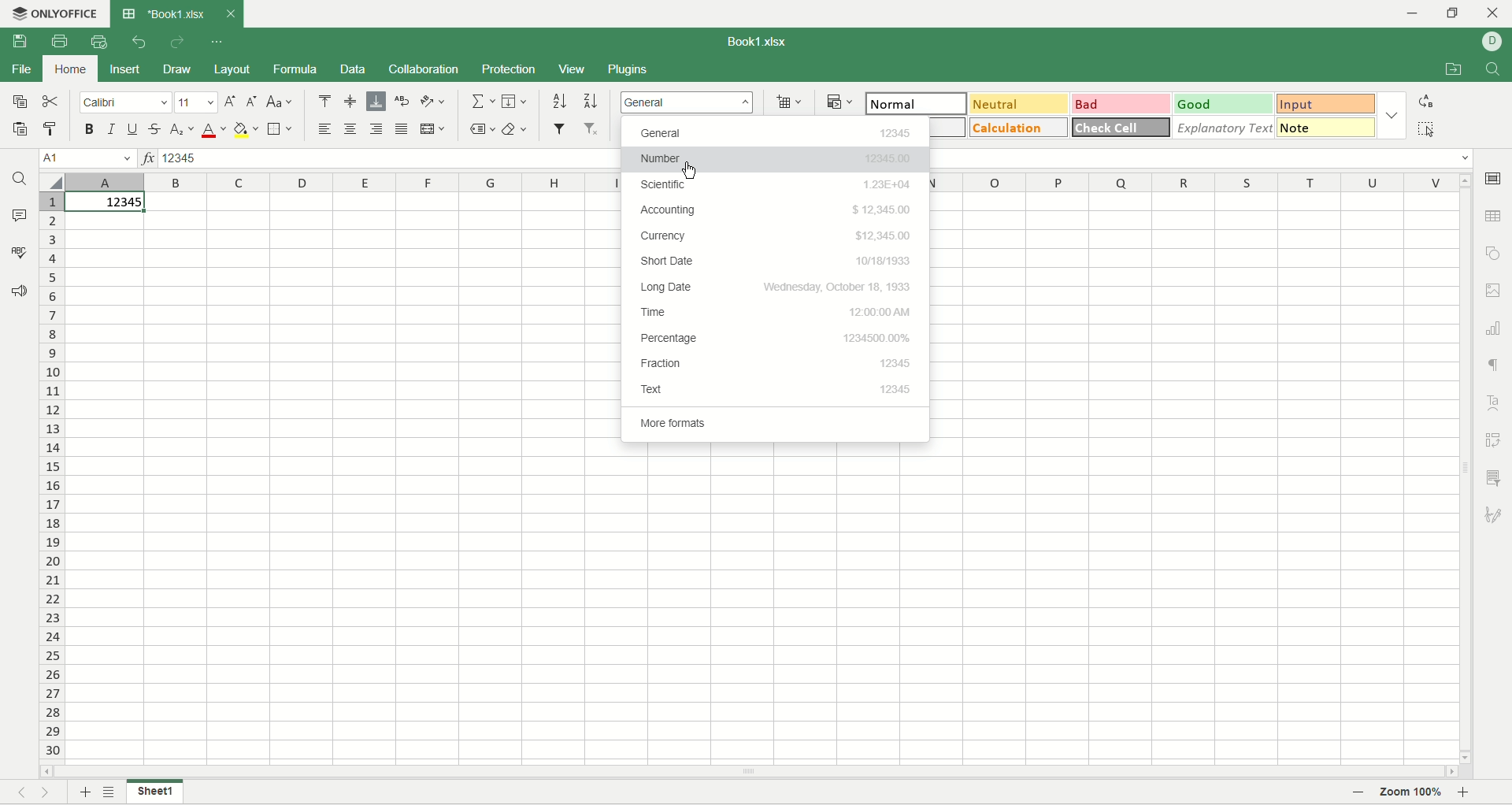 The height and width of the screenshot is (805, 1512). Describe the element at coordinates (561, 102) in the screenshot. I see `sort ascending` at that location.